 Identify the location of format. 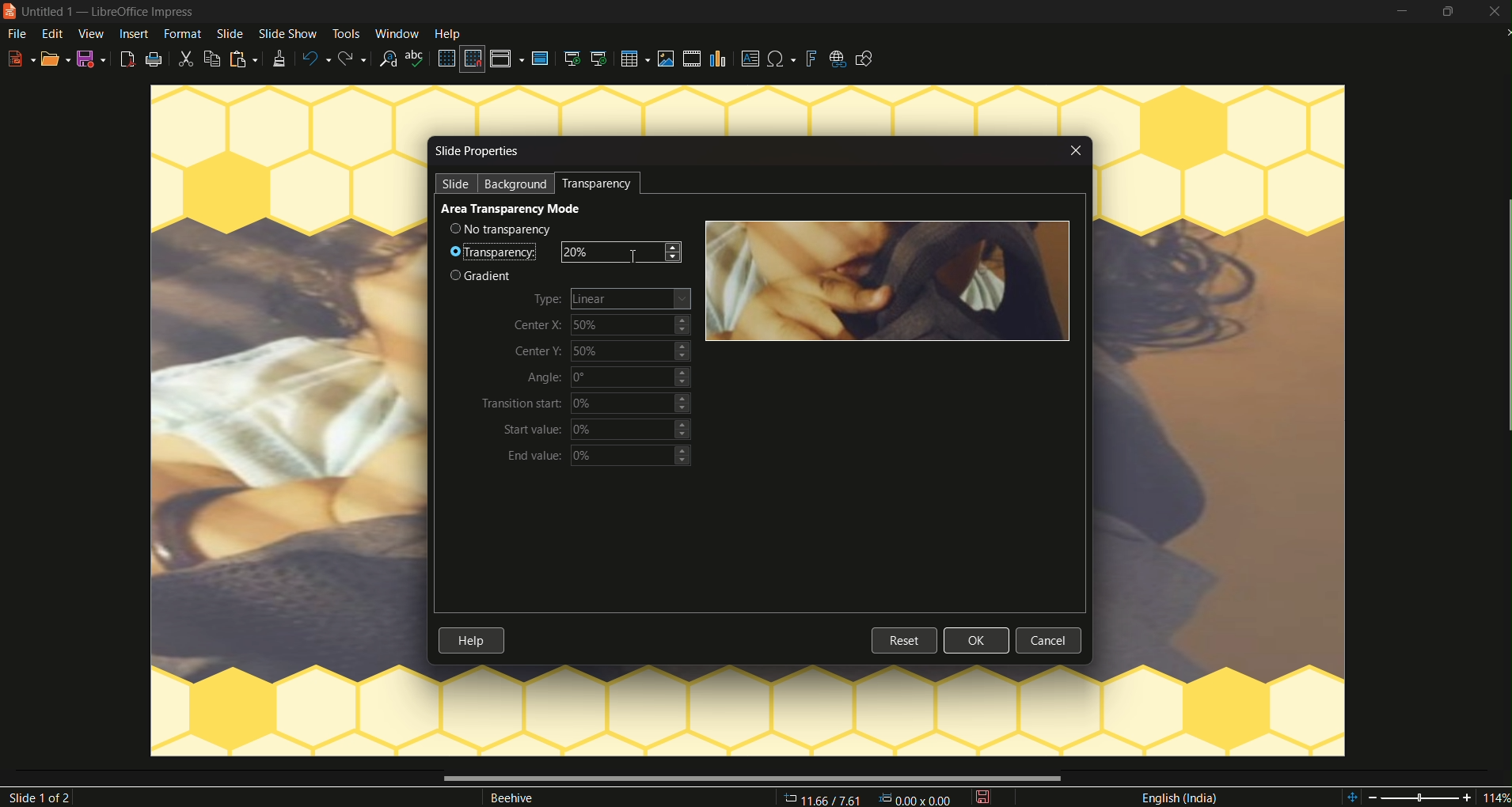
(180, 33).